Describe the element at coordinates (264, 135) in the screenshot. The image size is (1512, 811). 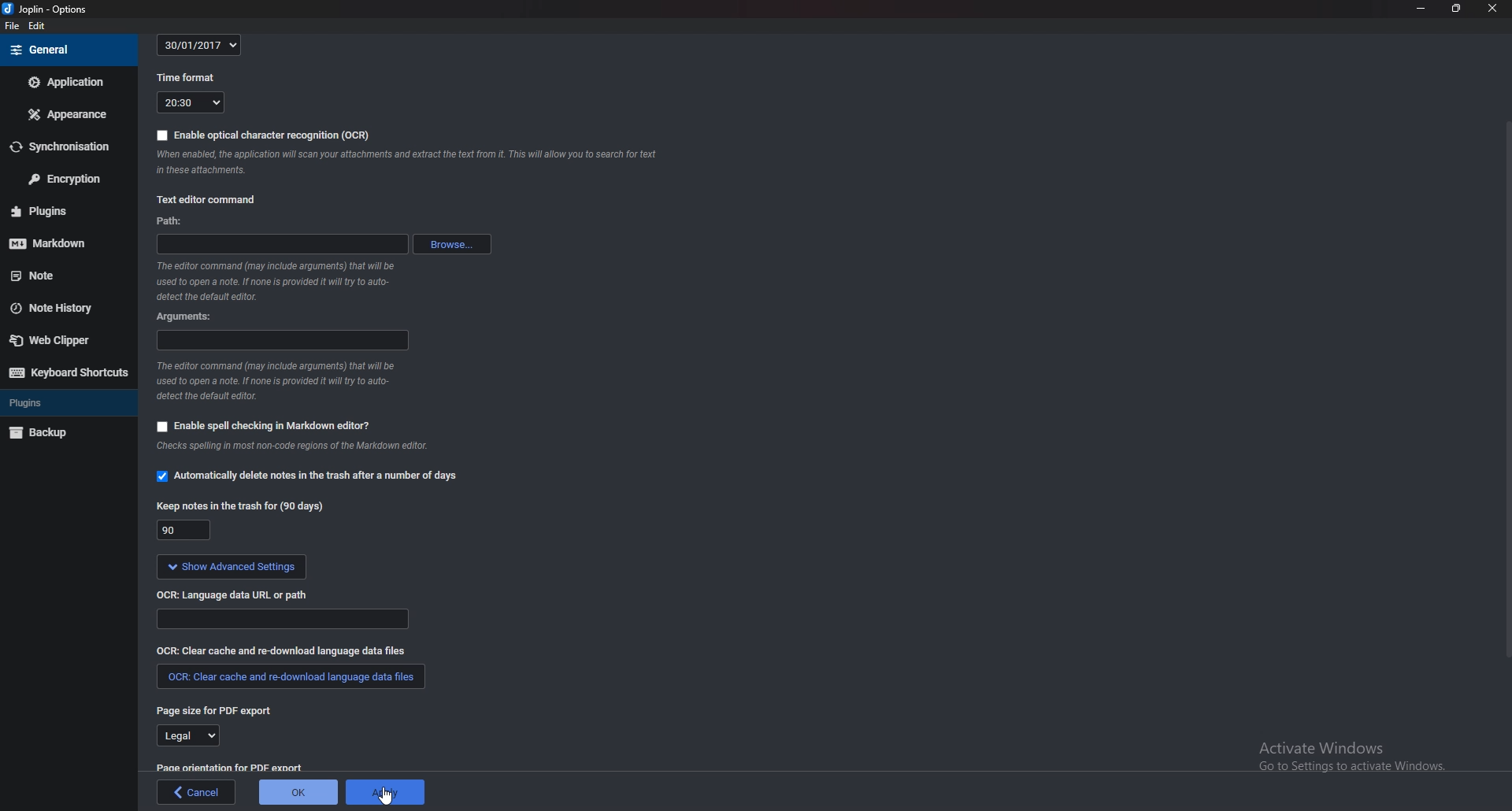
I see `Enable O C R` at that location.